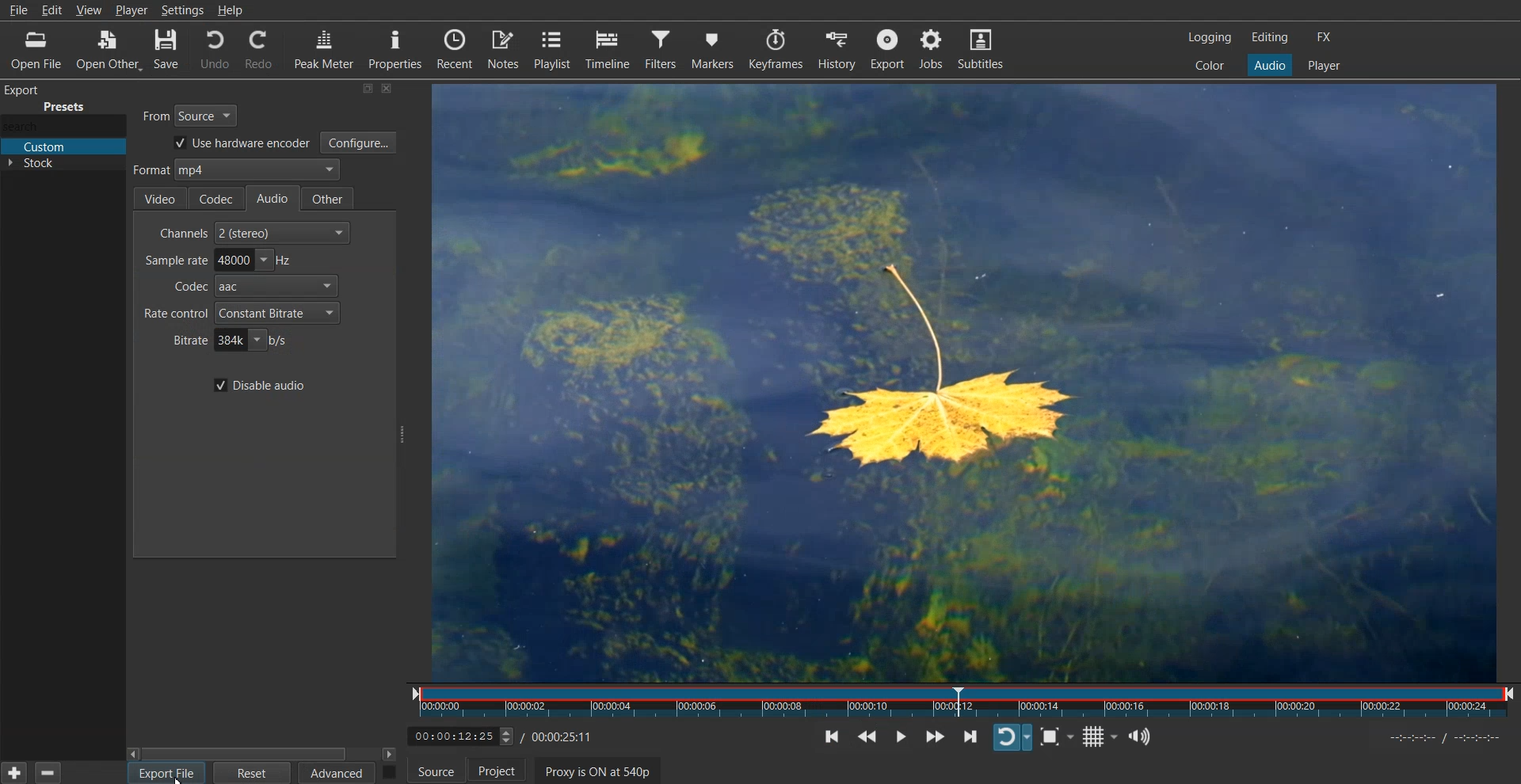 The image size is (1521, 784). Describe the element at coordinates (388, 89) in the screenshot. I see `Close` at that location.